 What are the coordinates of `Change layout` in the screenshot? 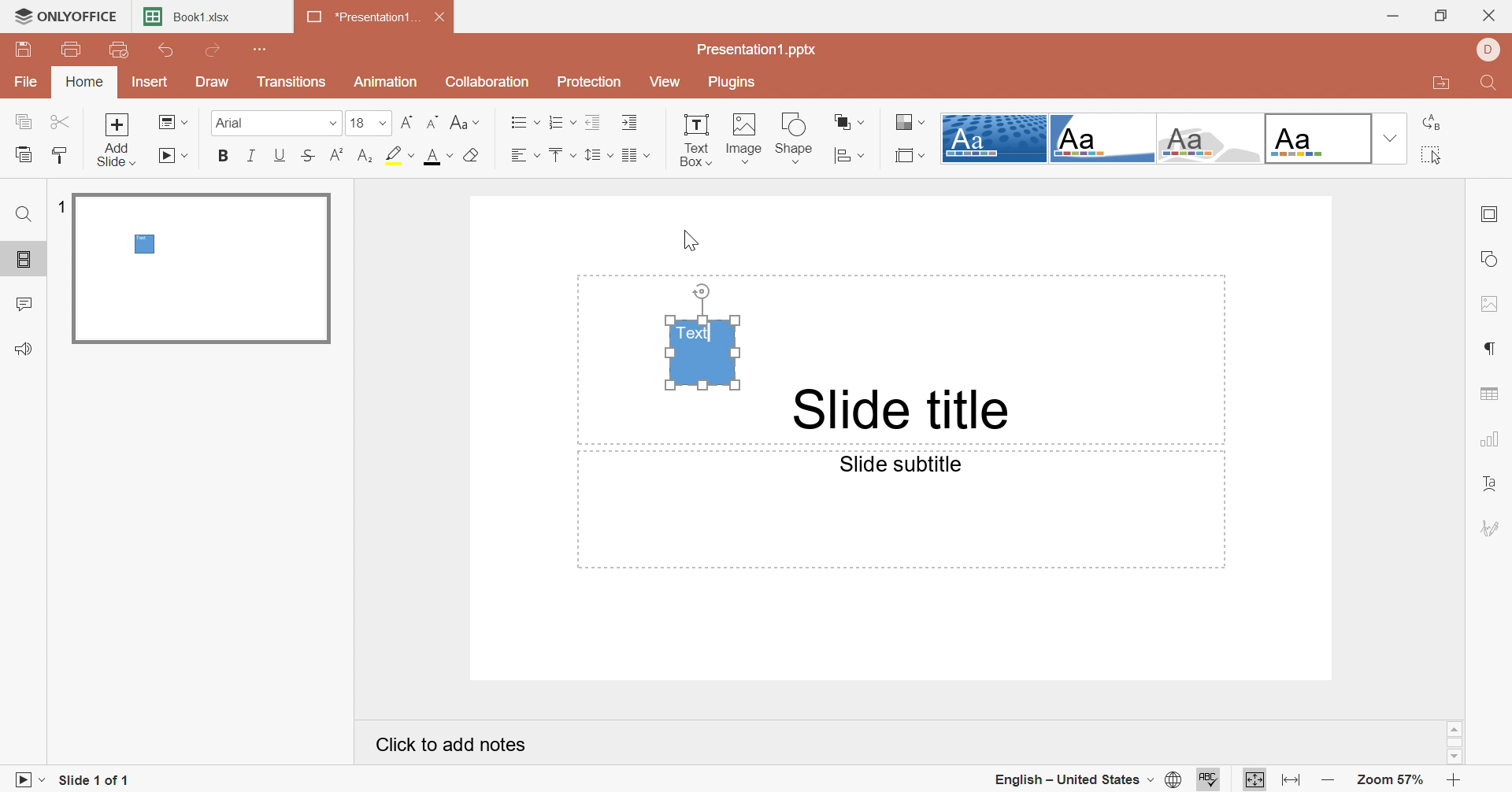 It's located at (172, 123).